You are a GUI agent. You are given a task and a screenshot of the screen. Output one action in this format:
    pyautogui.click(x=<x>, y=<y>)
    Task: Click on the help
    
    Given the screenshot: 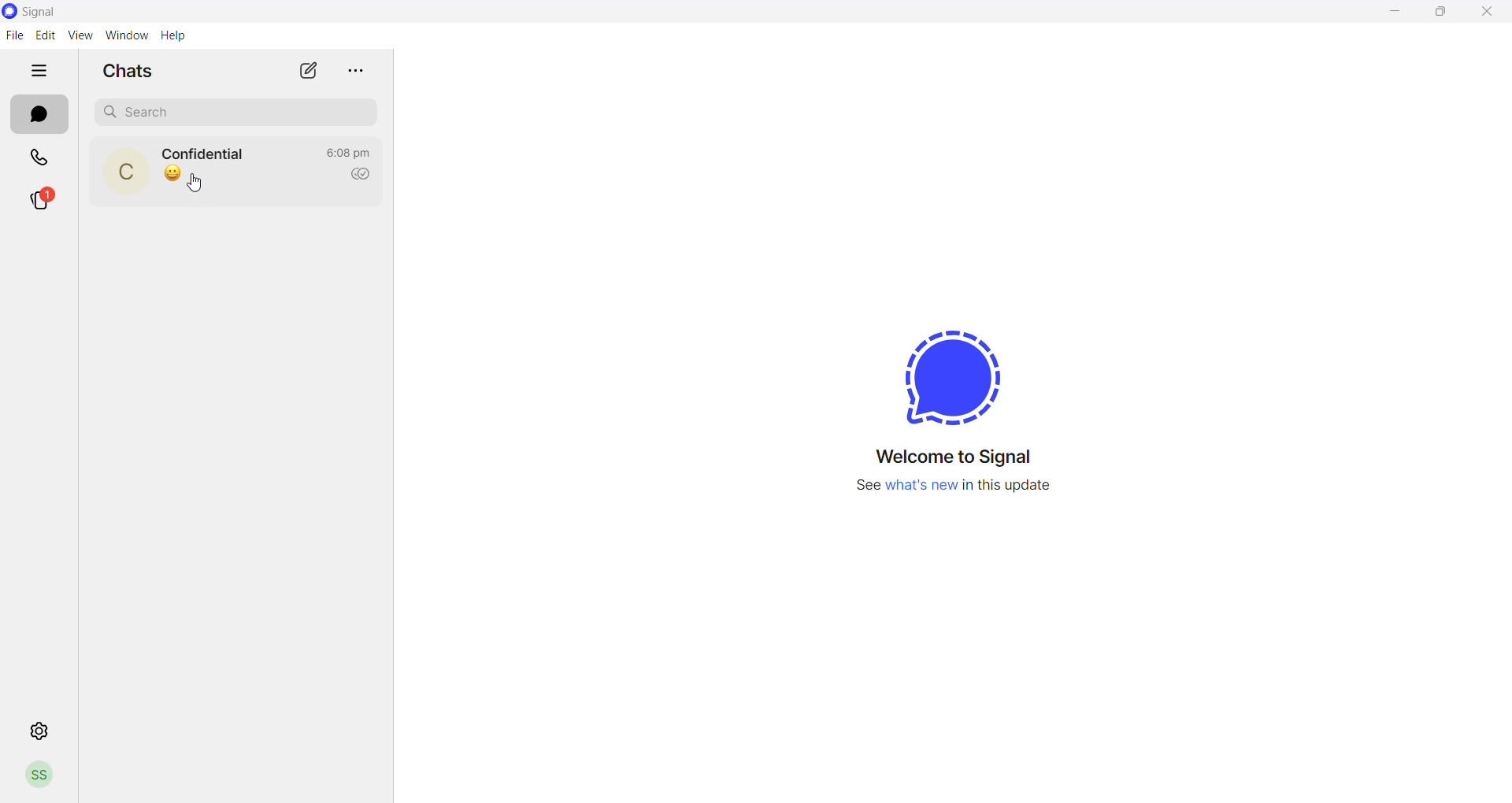 What is the action you would take?
    pyautogui.click(x=176, y=37)
    